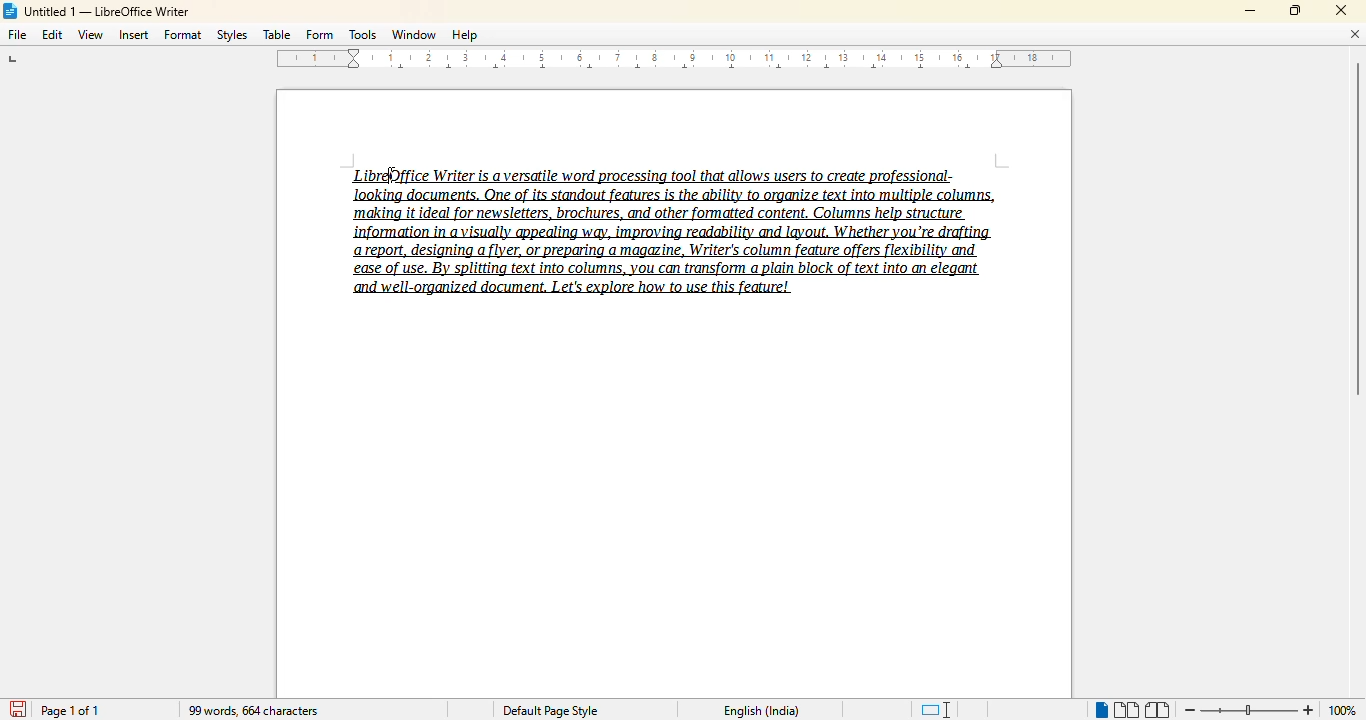 The width and height of the screenshot is (1366, 720). What do you see at coordinates (1345, 711) in the screenshot?
I see `100% (change zoom level)` at bounding box center [1345, 711].